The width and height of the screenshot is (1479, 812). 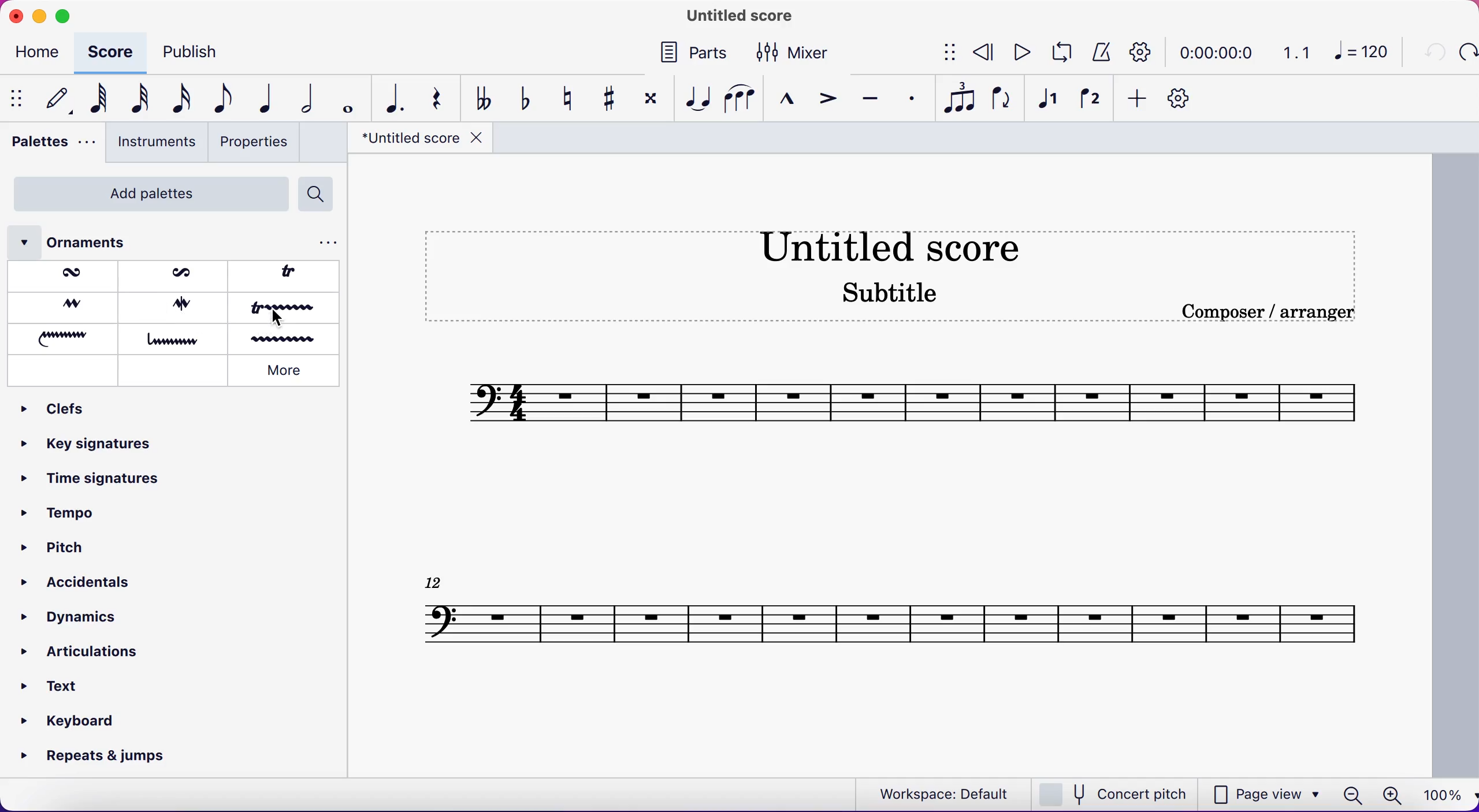 What do you see at coordinates (1351, 795) in the screenshot?
I see `zoom out` at bounding box center [1351, 795].